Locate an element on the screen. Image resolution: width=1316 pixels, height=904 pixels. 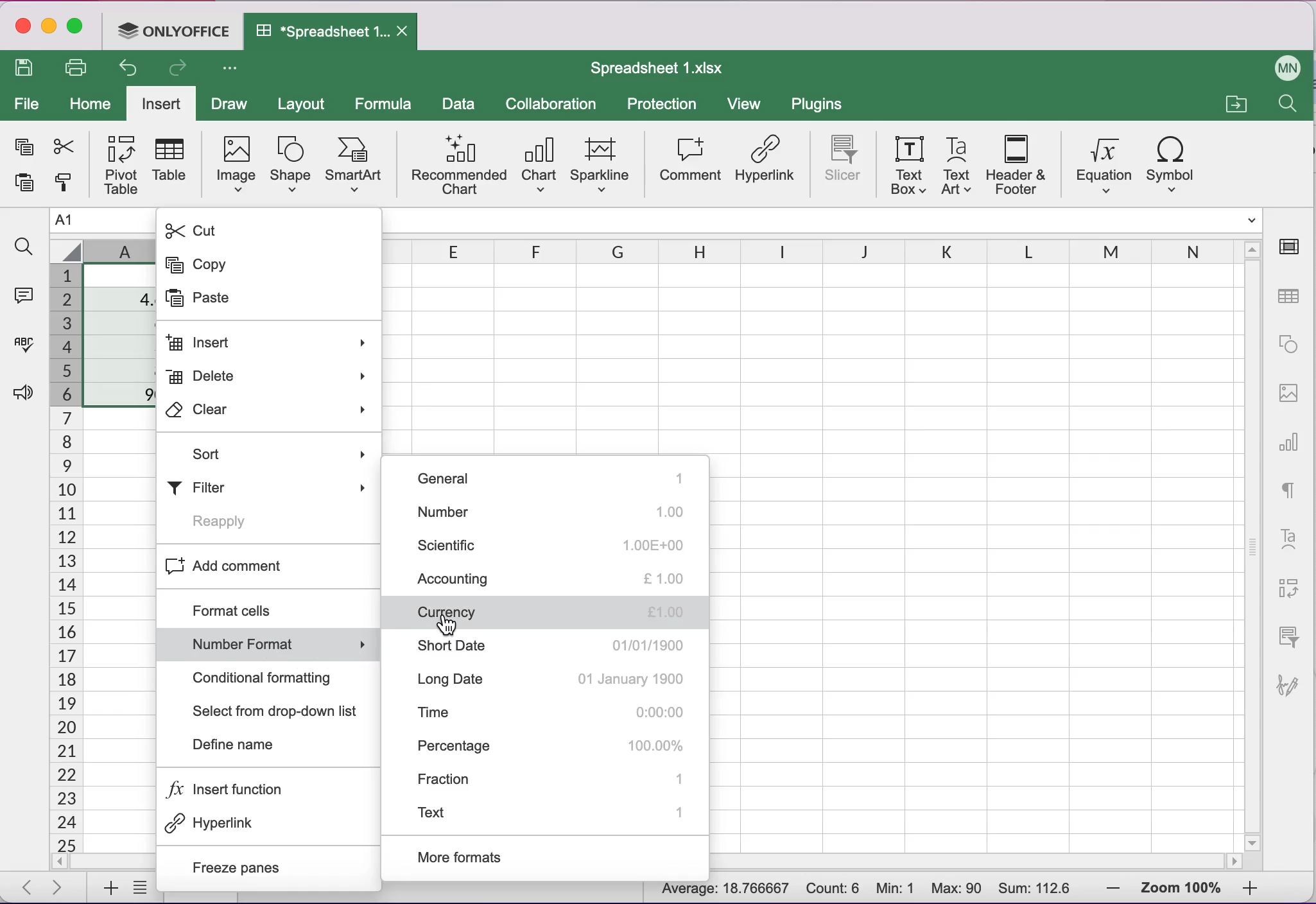
more formats is located at coordinates (488, 857).